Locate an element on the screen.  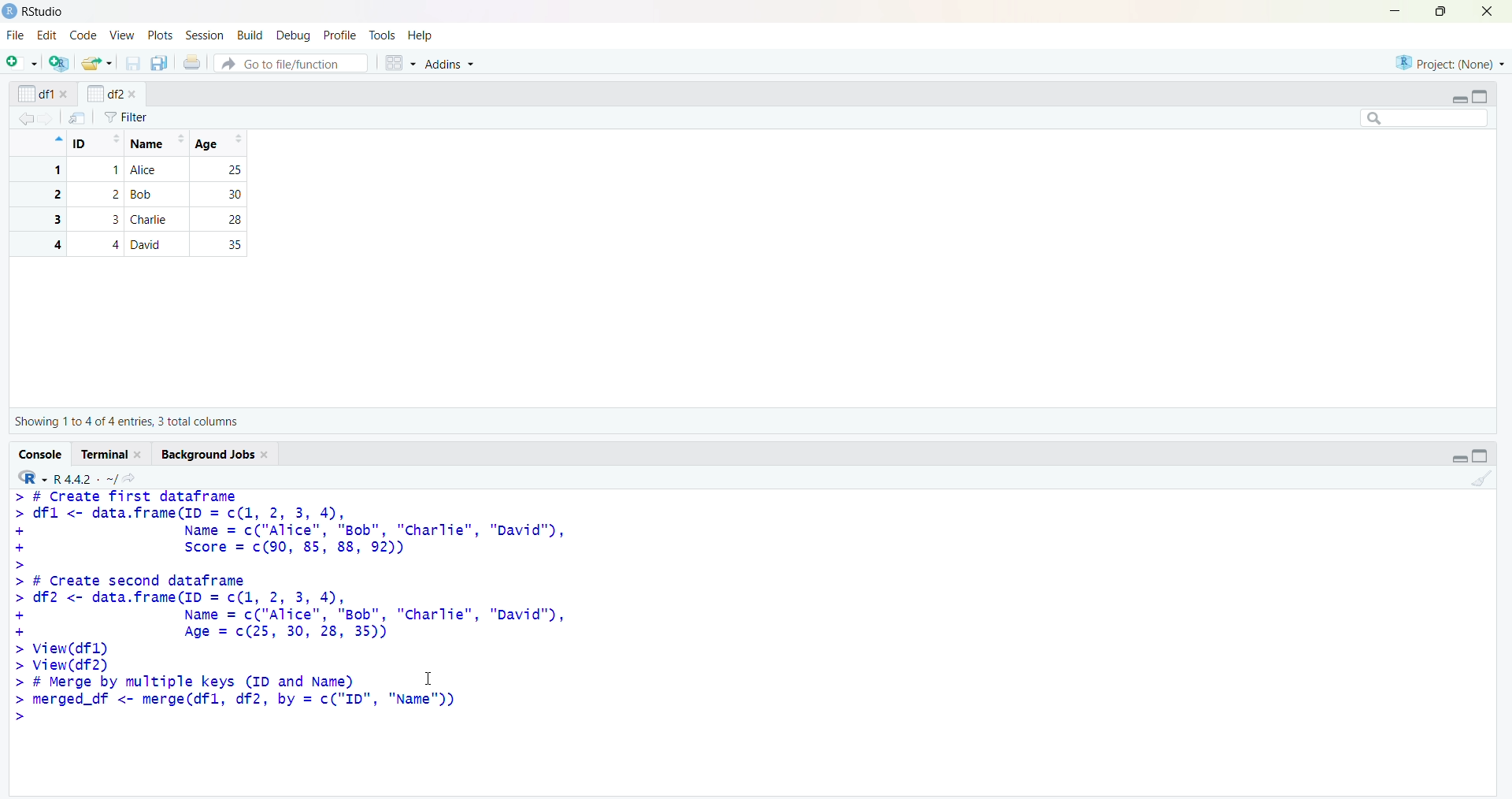
cursor is located at coordinates (429, 678).